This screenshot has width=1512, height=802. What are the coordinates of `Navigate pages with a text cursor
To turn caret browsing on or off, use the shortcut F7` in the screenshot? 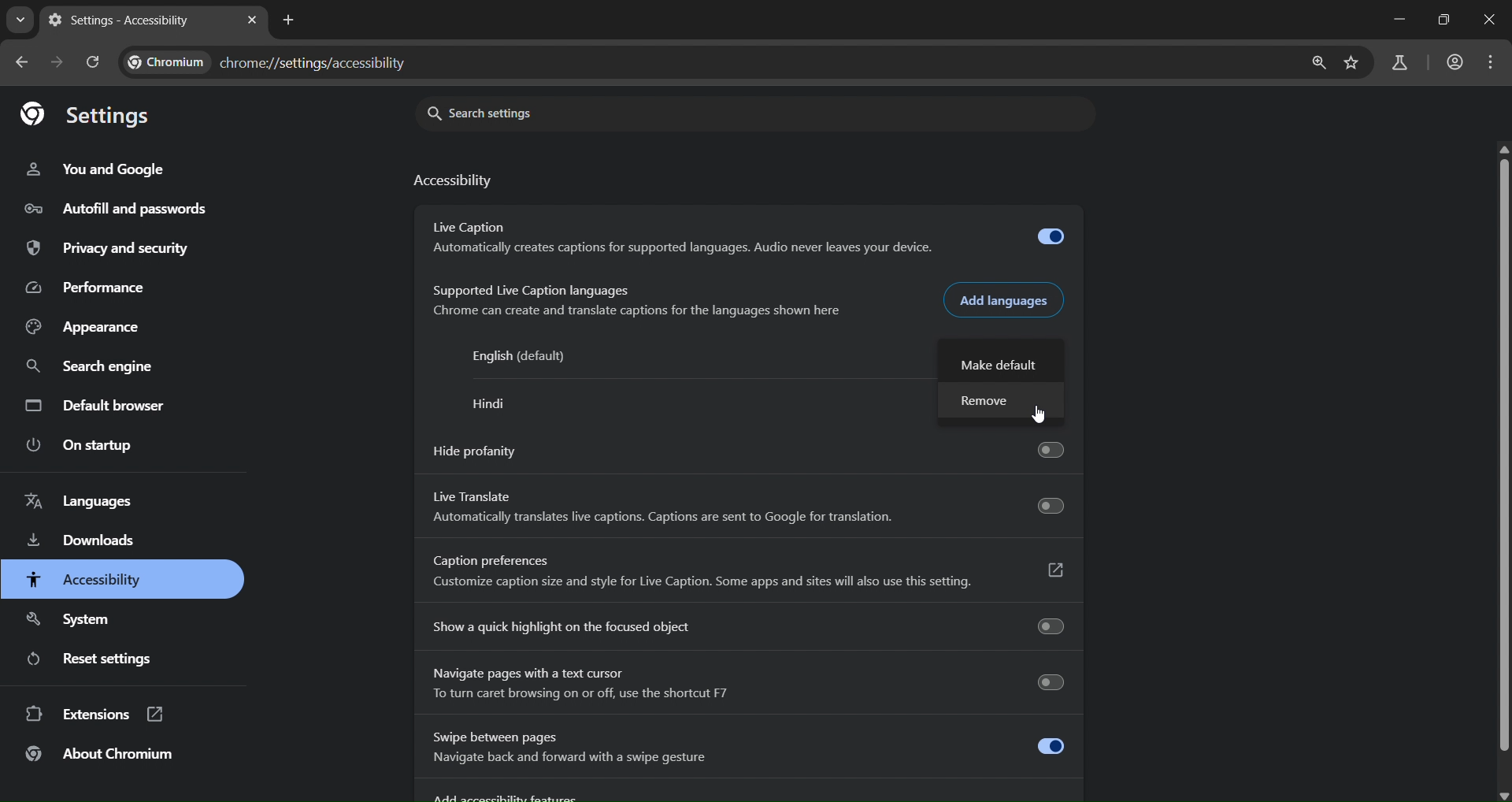 It's located at (742, 684).